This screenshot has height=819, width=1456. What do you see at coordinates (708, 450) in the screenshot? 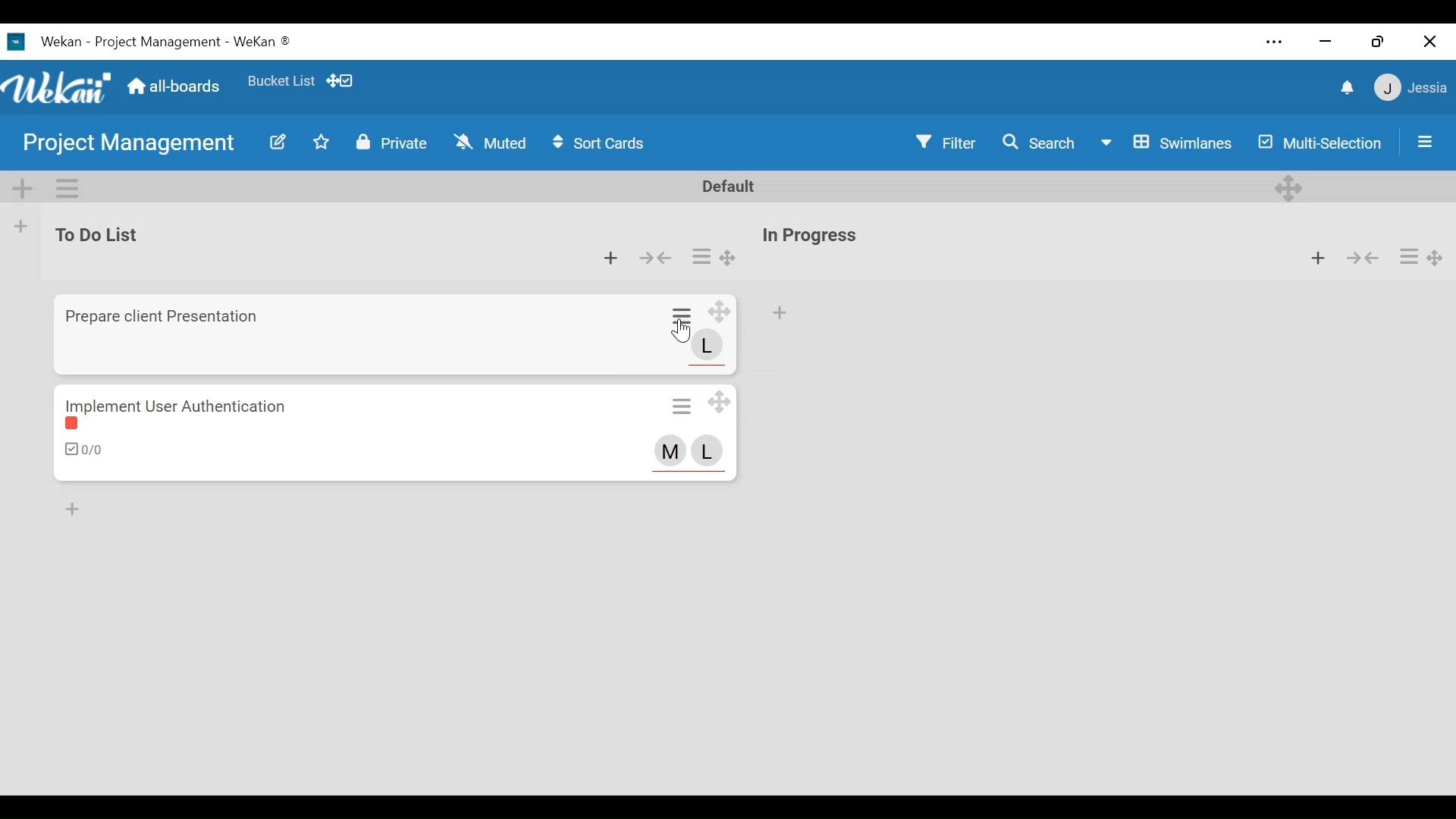
I see `Member` at bounding box center [708, 450].